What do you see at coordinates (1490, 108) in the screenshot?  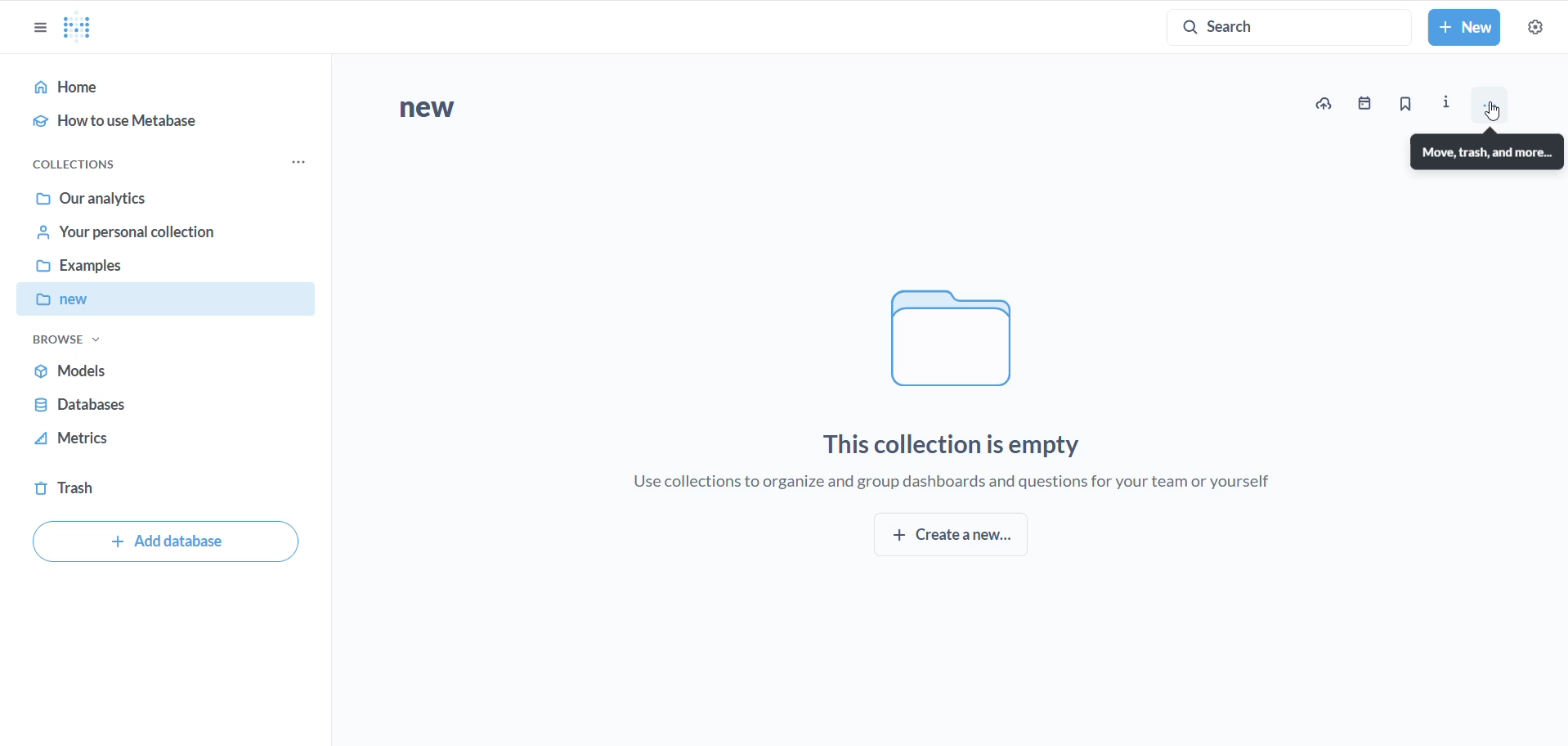 I see `cursor` at bounding box center [1490, 108].